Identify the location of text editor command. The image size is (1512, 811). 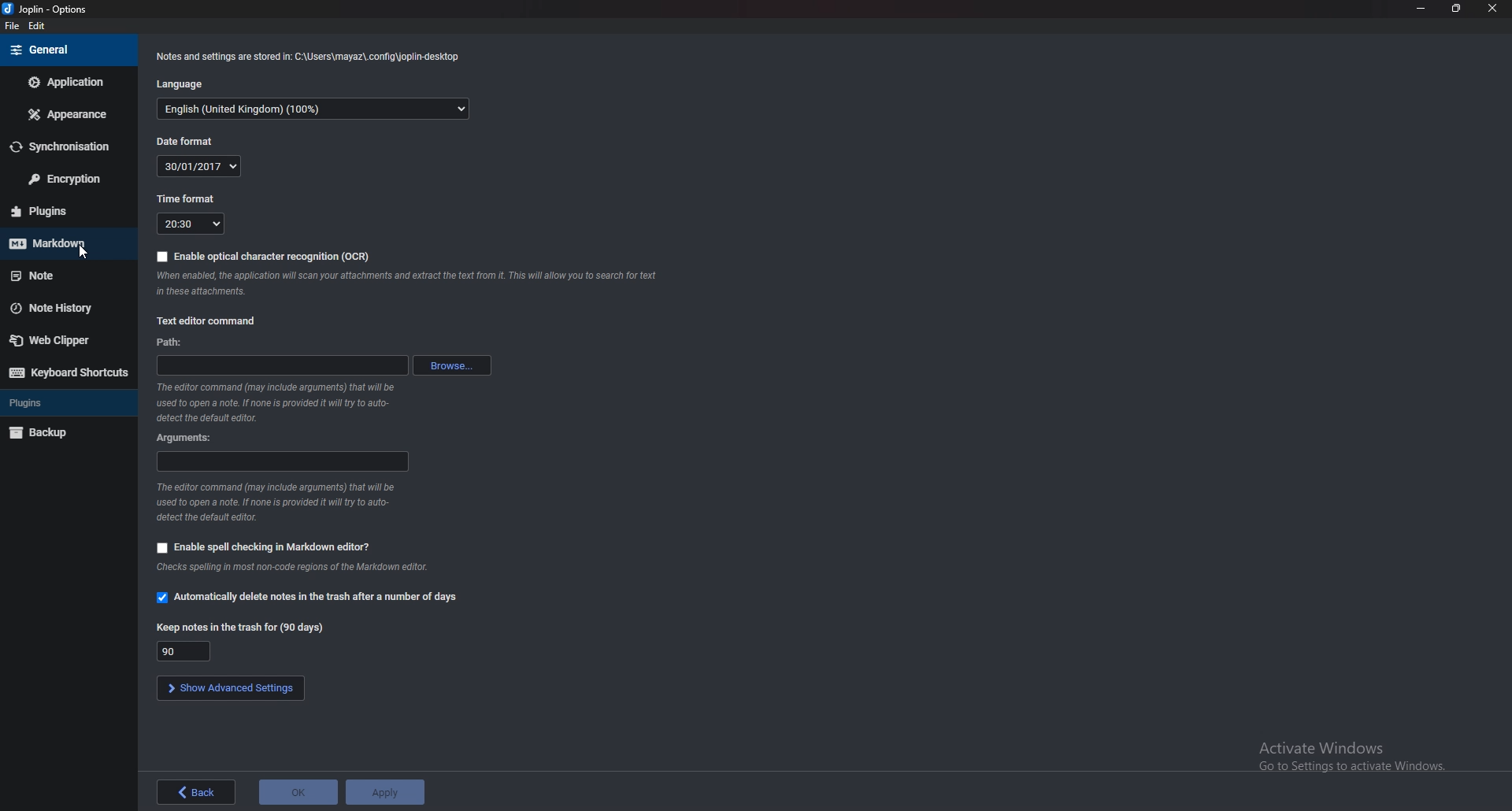
(209, 320).